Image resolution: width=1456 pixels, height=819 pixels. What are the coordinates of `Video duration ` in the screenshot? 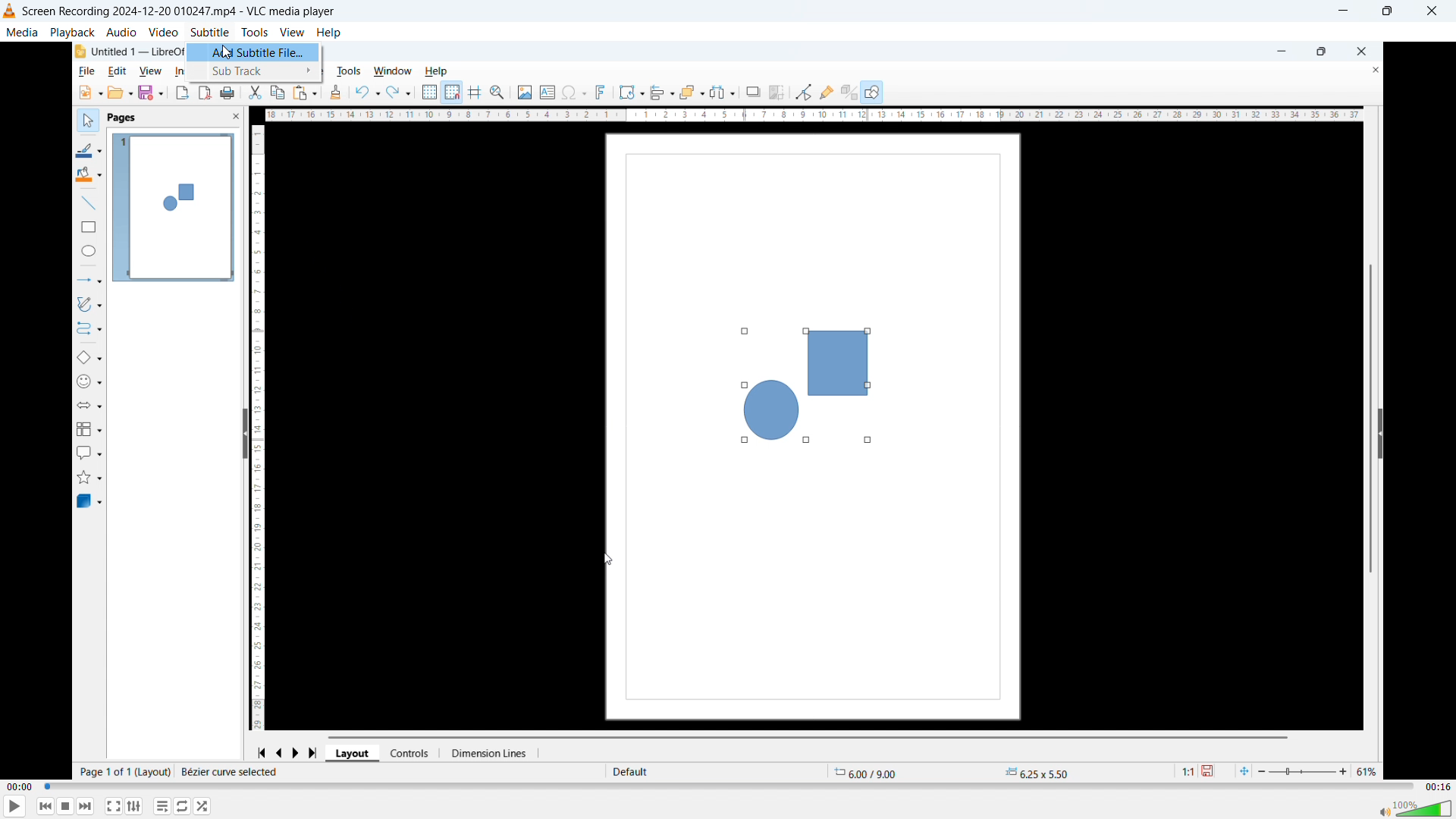 It's located at (1437, 787).